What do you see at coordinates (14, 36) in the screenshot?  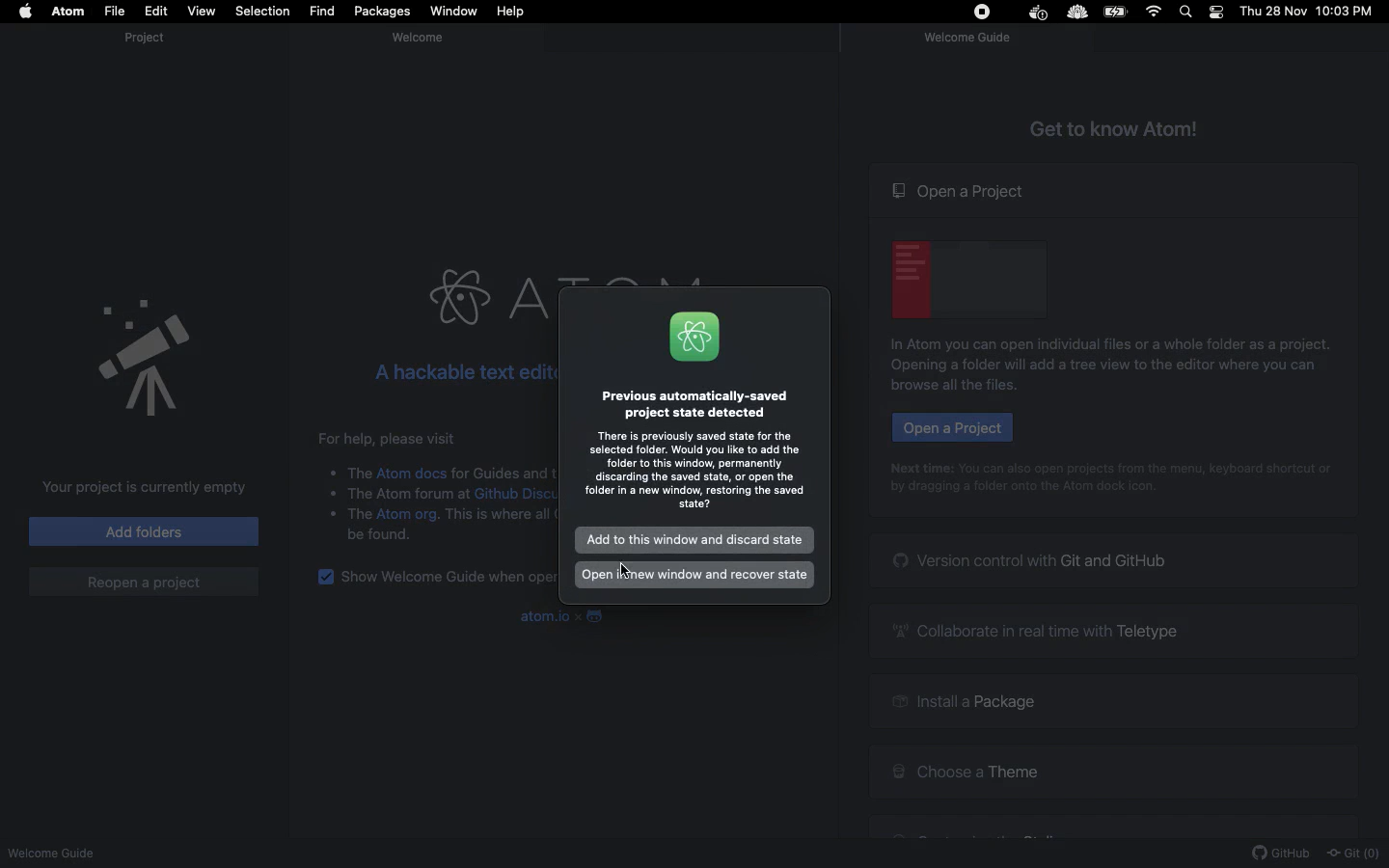 I see `Close` at bounding box center [14, 36].